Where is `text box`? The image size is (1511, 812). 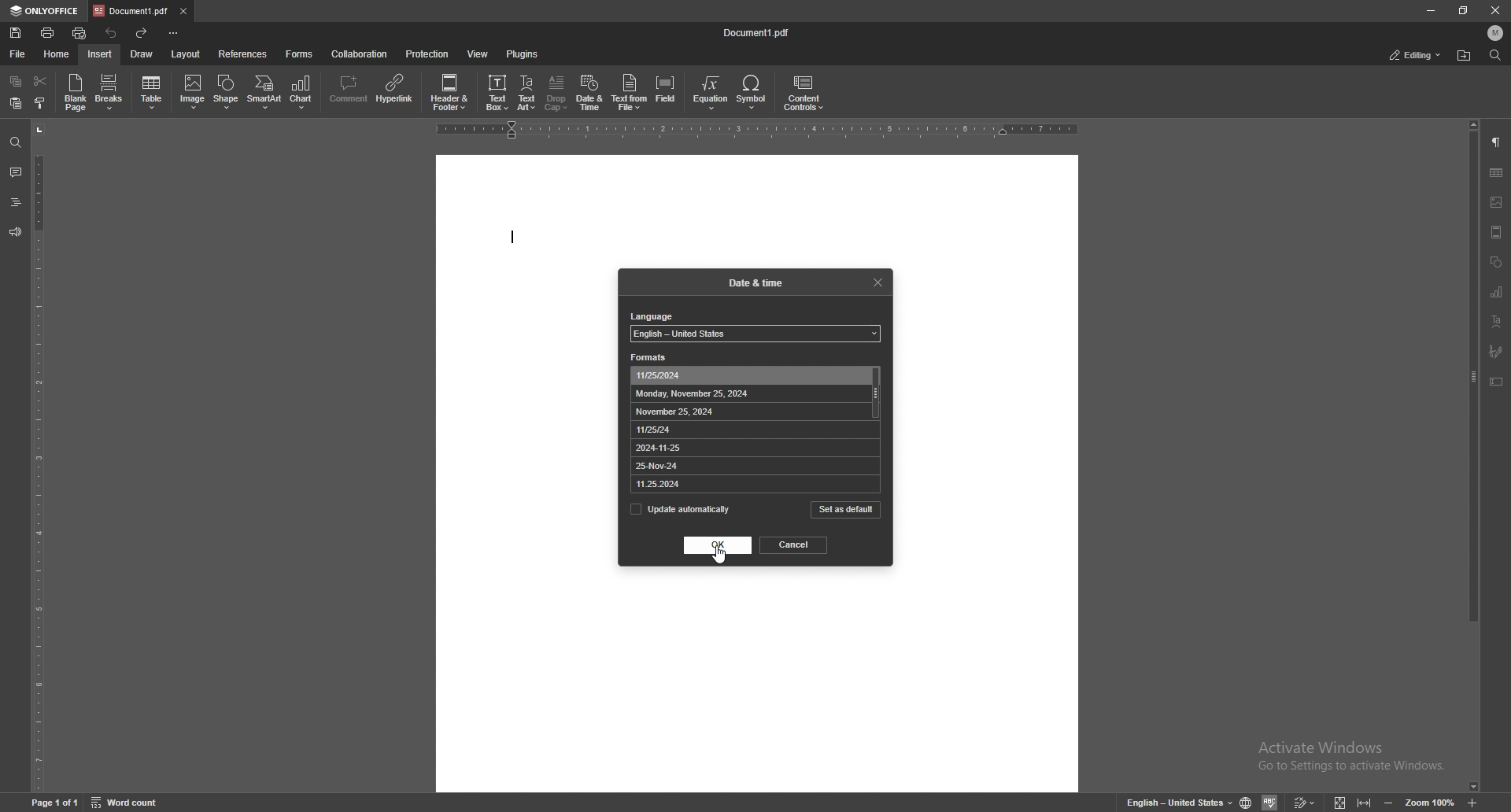
text box is located at coordinates (497, 92).